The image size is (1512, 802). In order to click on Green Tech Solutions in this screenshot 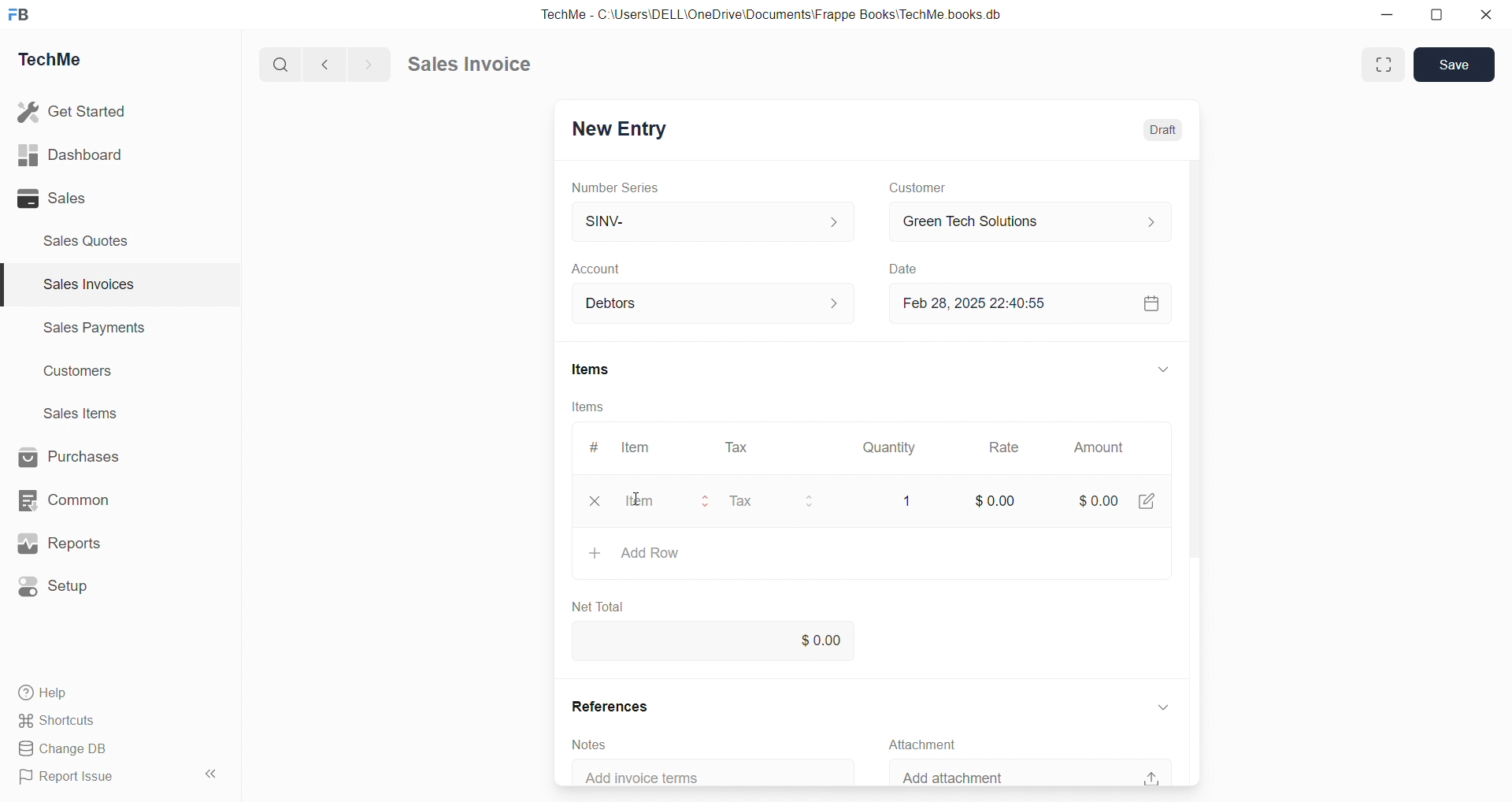, I will do `click(1032, 221)`.